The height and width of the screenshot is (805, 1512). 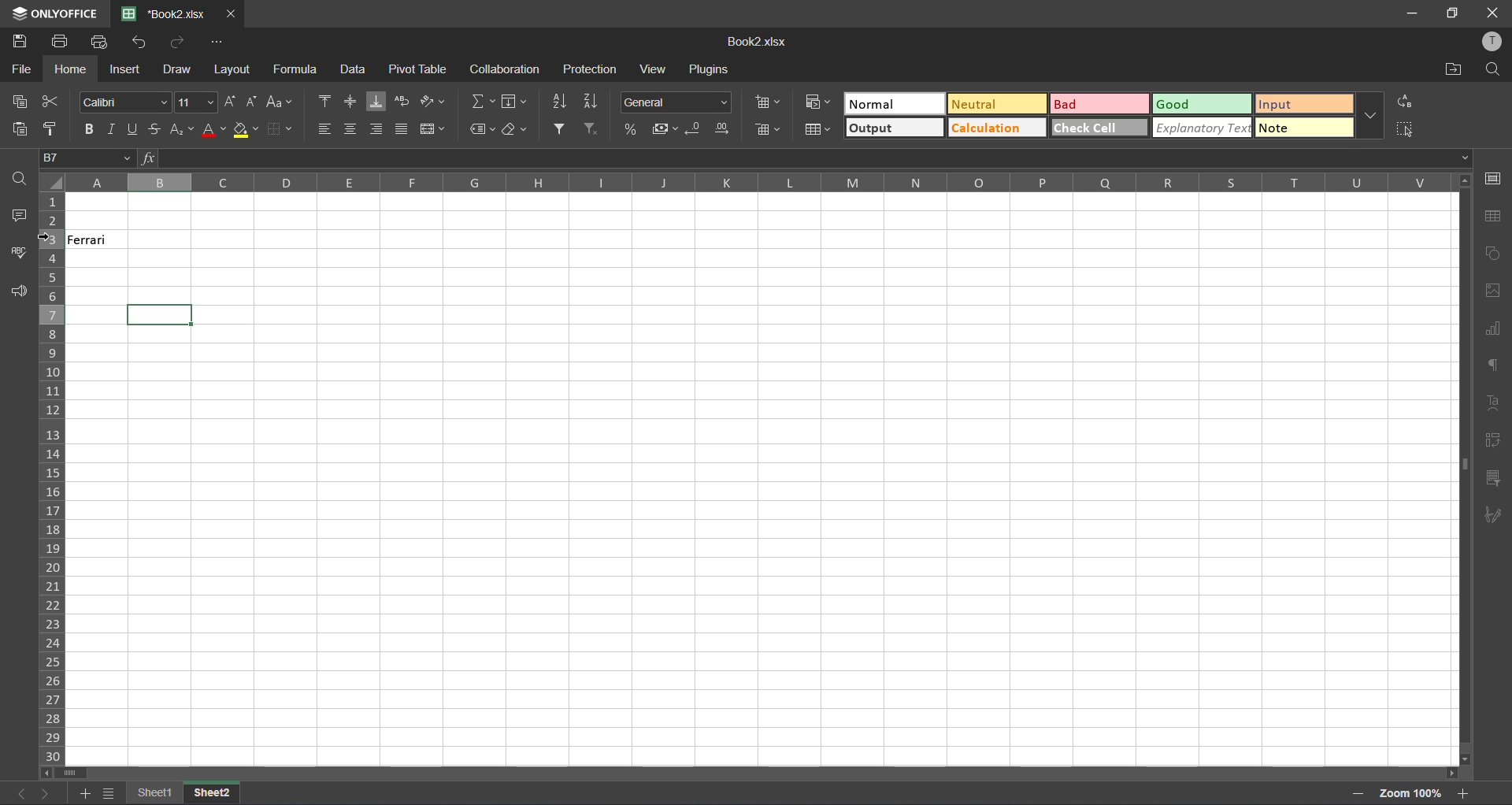 I want to click on quick print, so click(x=102, y=43).